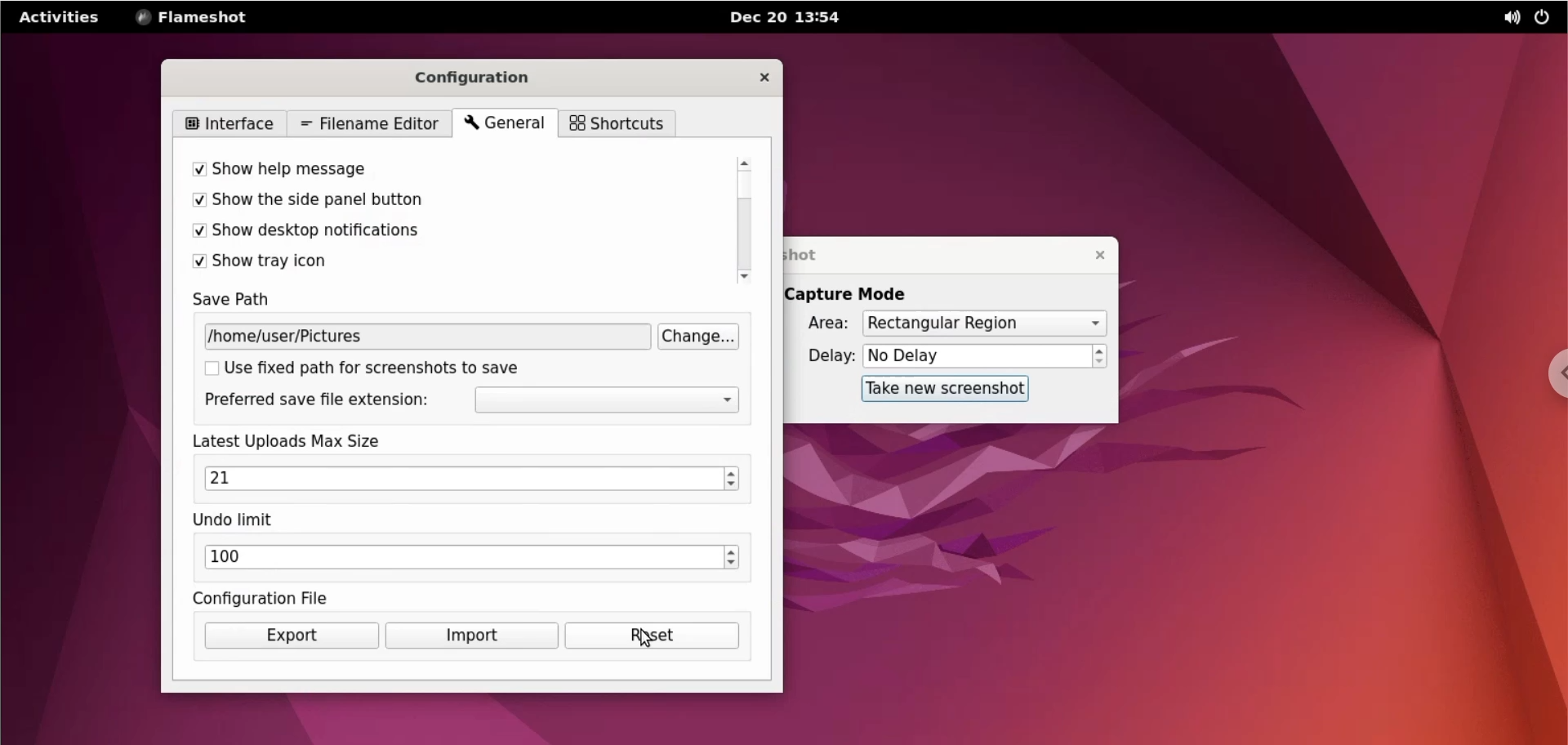 The image size is (1568, 745). I want to click on preferred save file extension:, so click(323, 402).